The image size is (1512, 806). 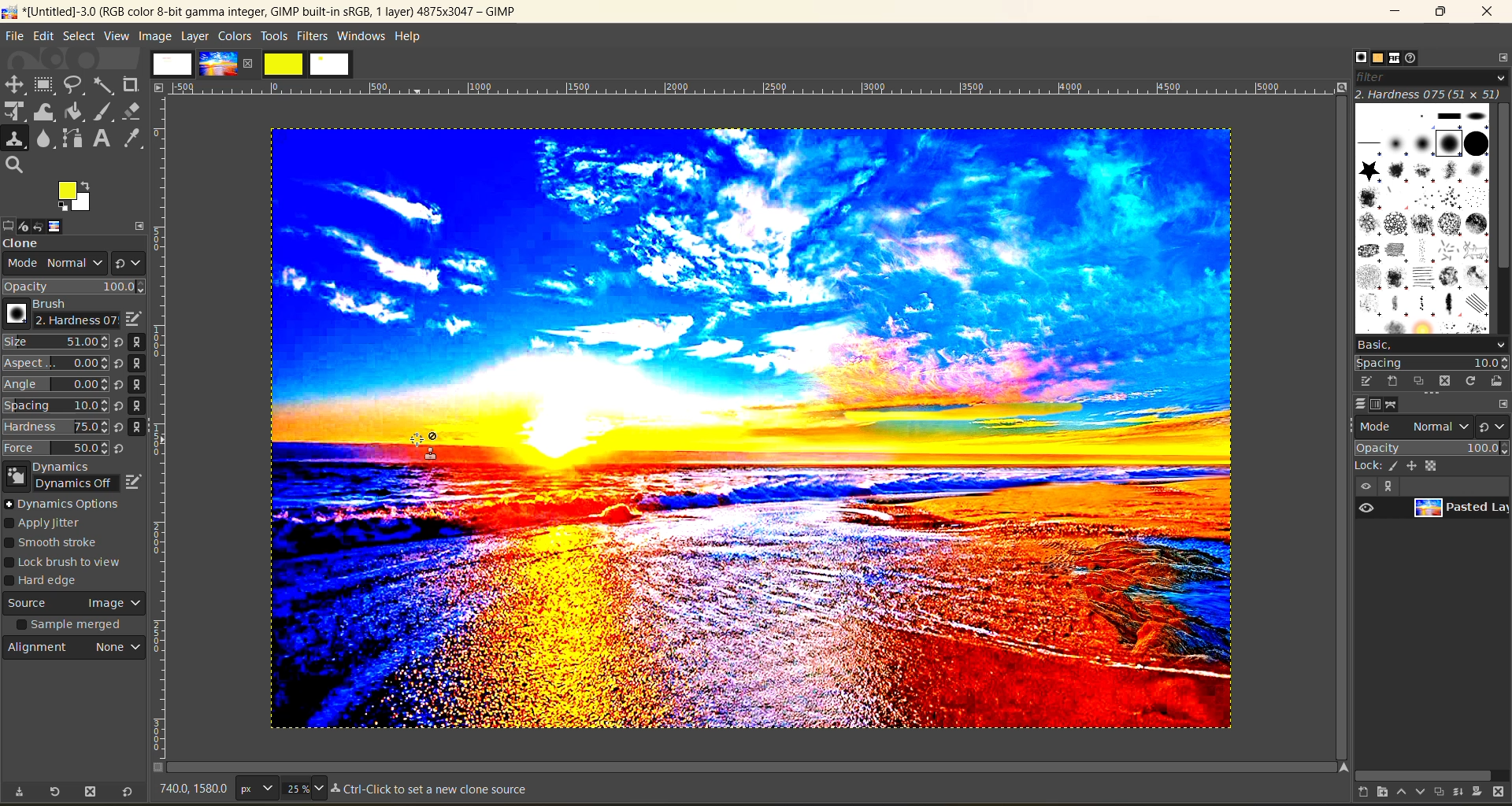 I want to click on reset to default values, so click(x=126, y=793).